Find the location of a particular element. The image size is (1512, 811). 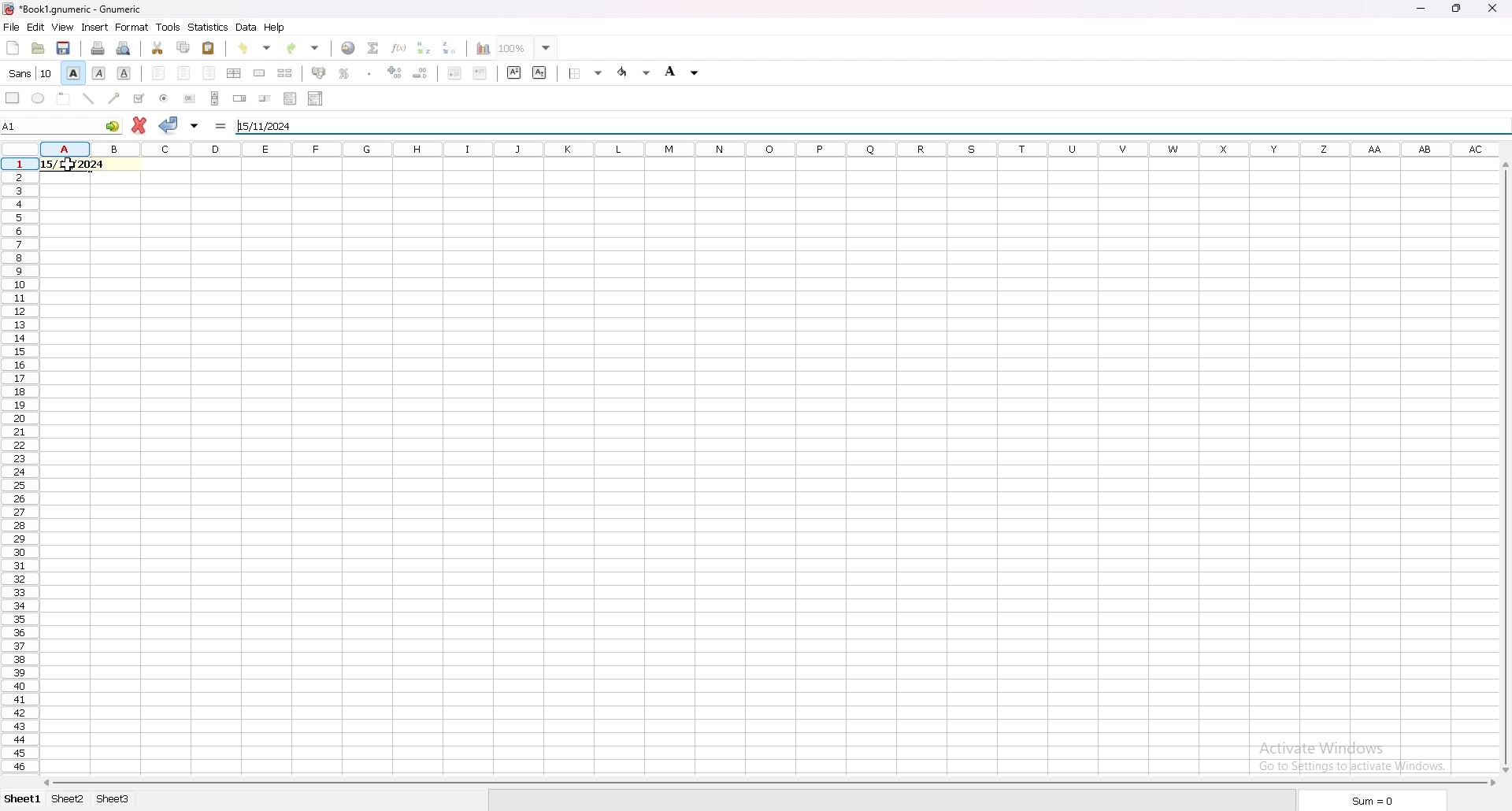

radio button is located at coordinates (164, 99).